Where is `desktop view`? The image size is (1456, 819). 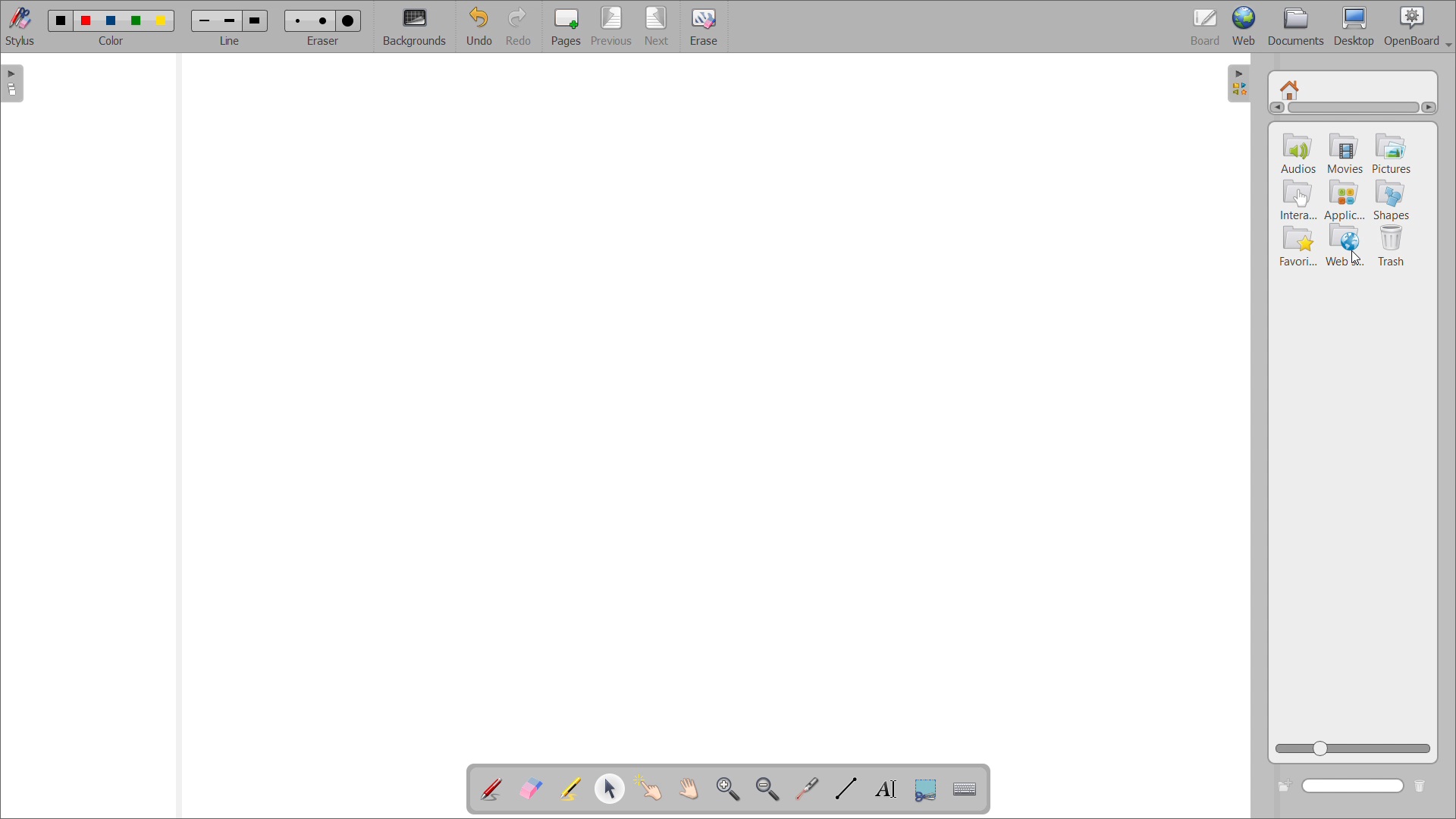 desktop view is located at coordinates (1355, 27).